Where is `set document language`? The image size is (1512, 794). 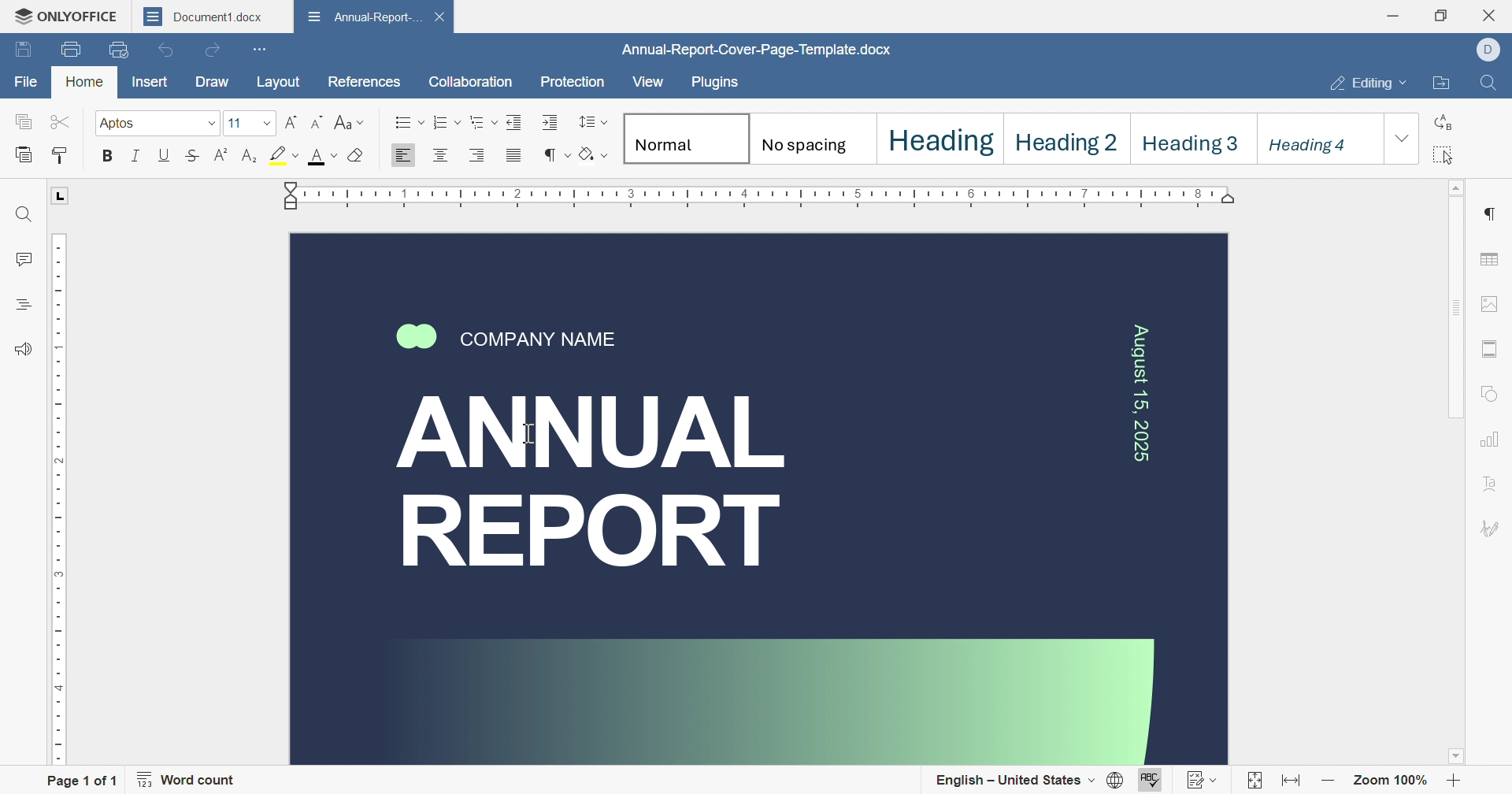 set document language is located at coordinates (1117, 781).